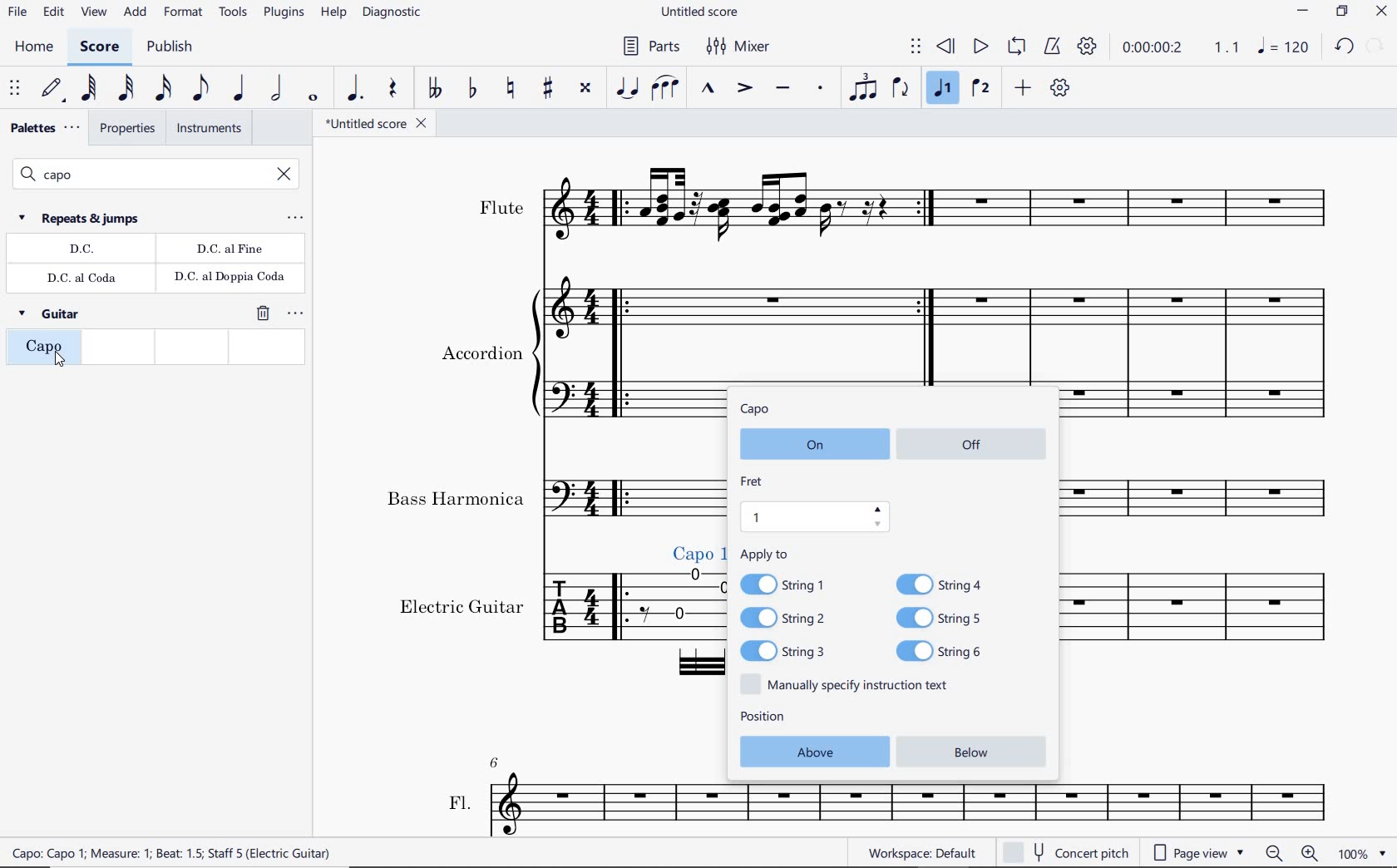  Describe the element at coordinates (565, 356) in the screenshot. I see `Instrument: Accordion` at that location.